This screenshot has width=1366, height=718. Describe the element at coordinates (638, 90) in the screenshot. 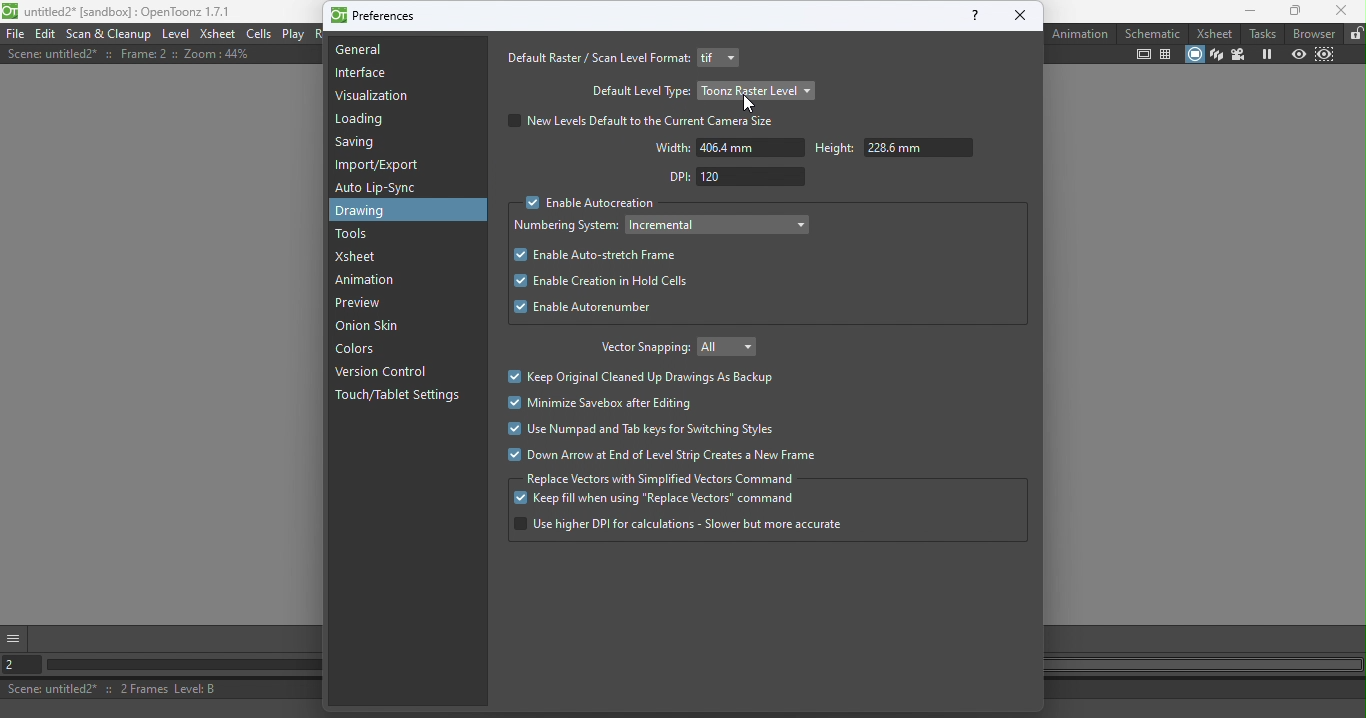

I see `Default level type` at that location.